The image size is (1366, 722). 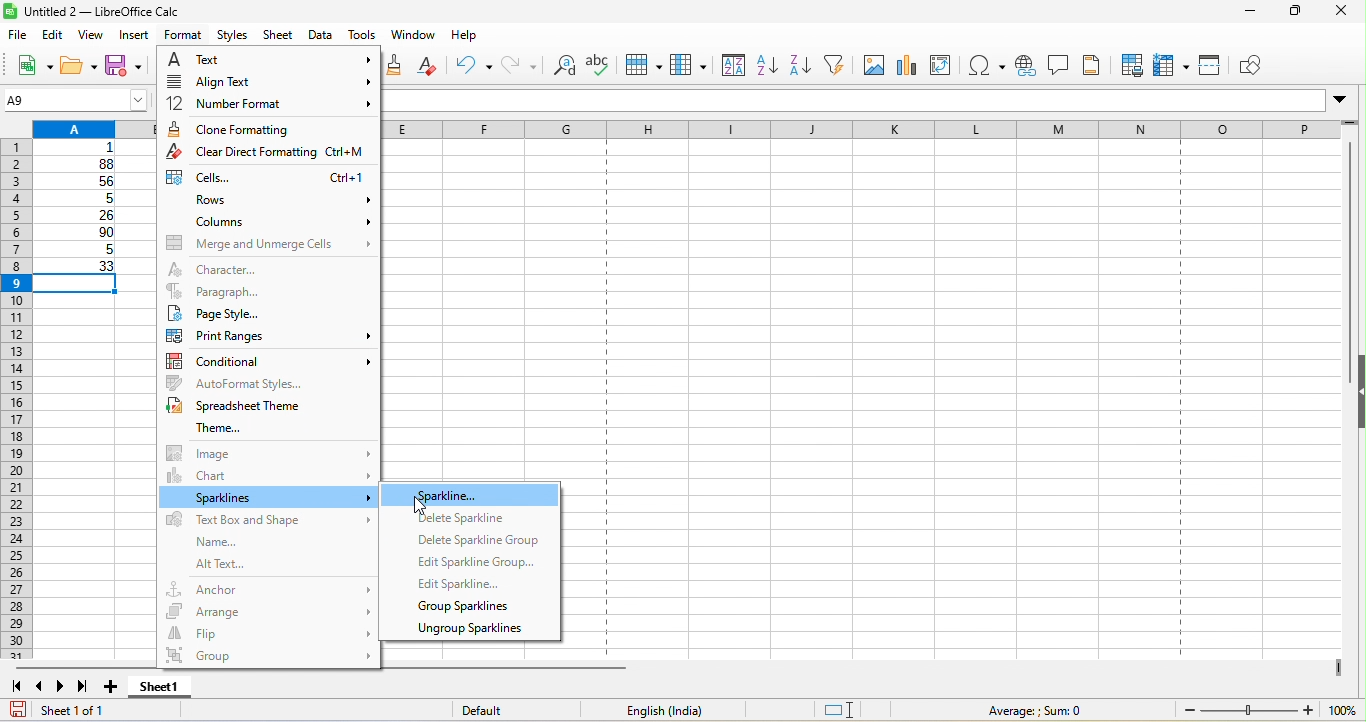 I want to click on insert, so click(x=136, y=36).